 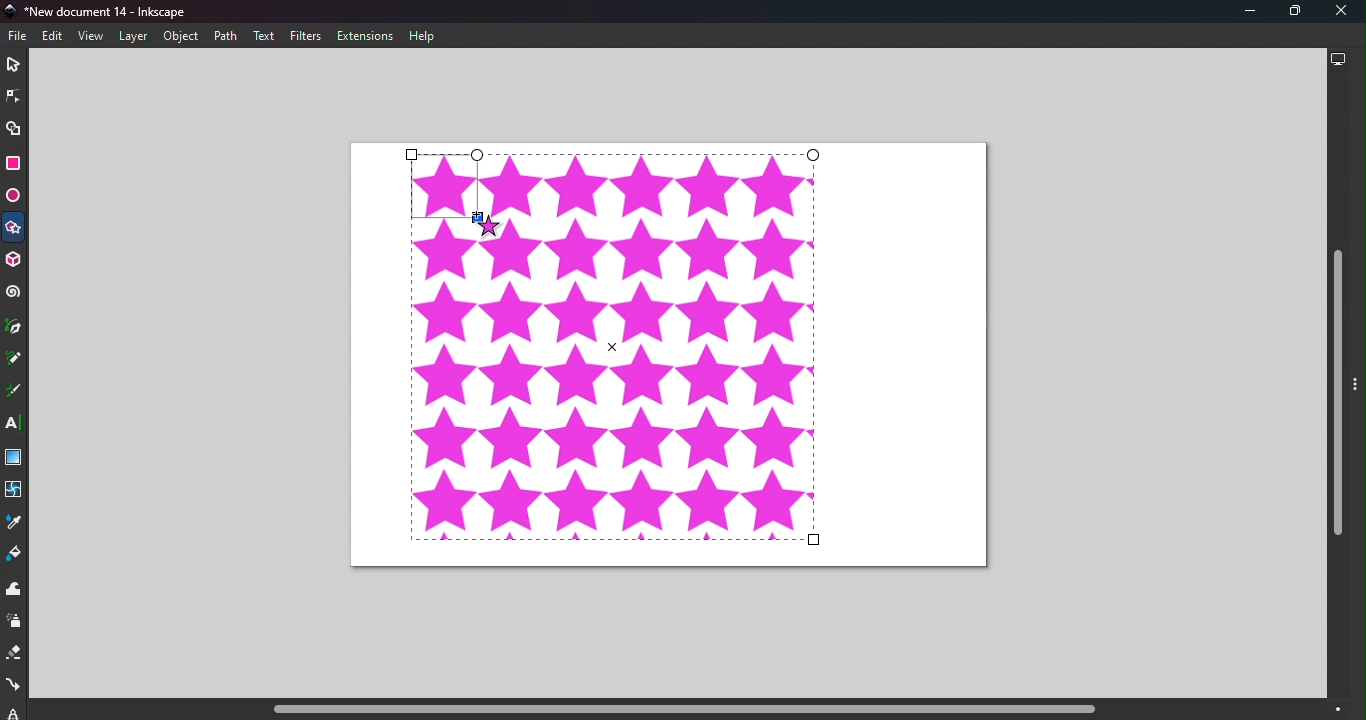 I want to click on Toggle command panel, so click(x=1358, y=395).